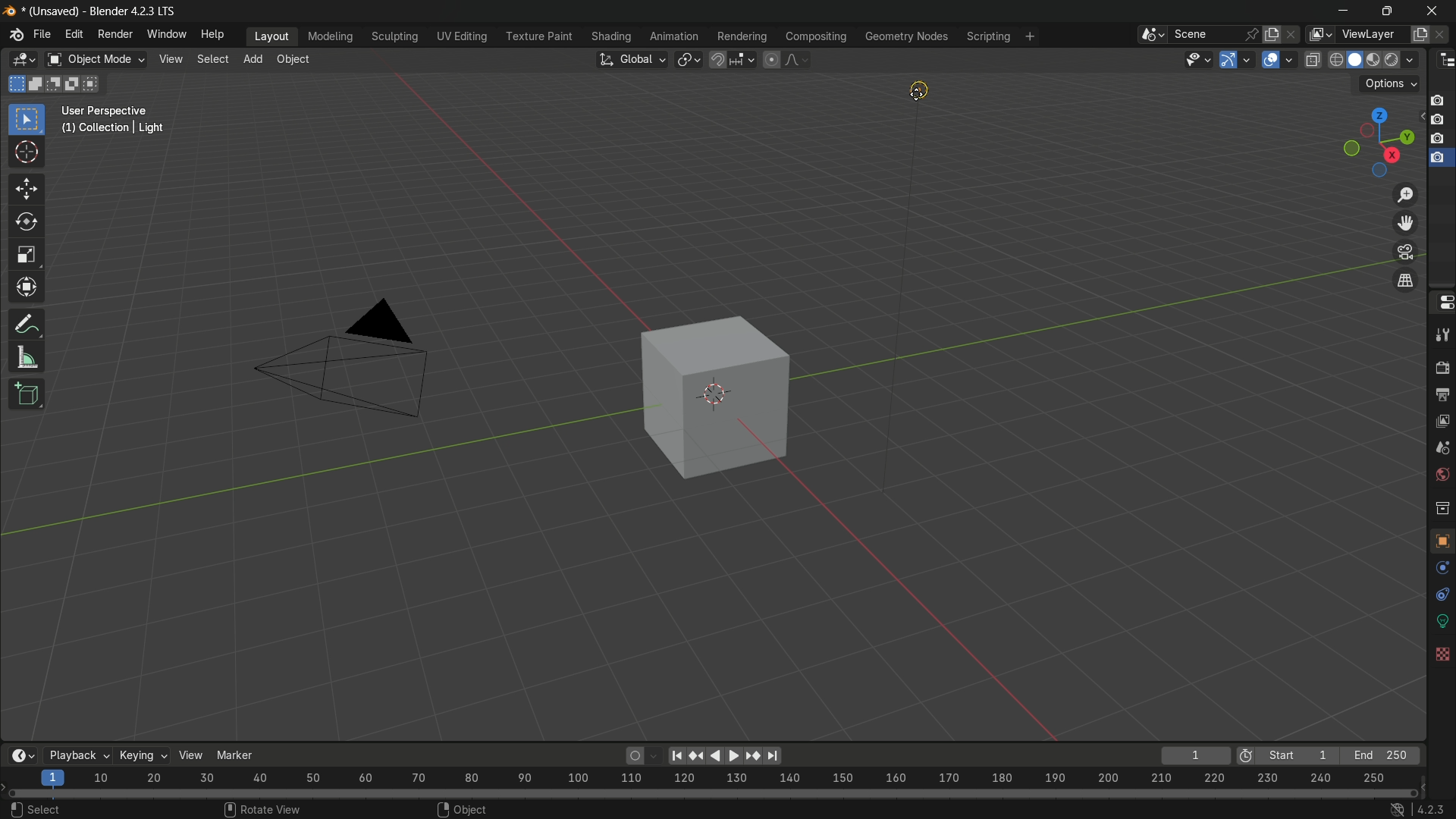  Describe the element at coordinates (1441, 648) in the screenshot. I see `constraints` at that location.